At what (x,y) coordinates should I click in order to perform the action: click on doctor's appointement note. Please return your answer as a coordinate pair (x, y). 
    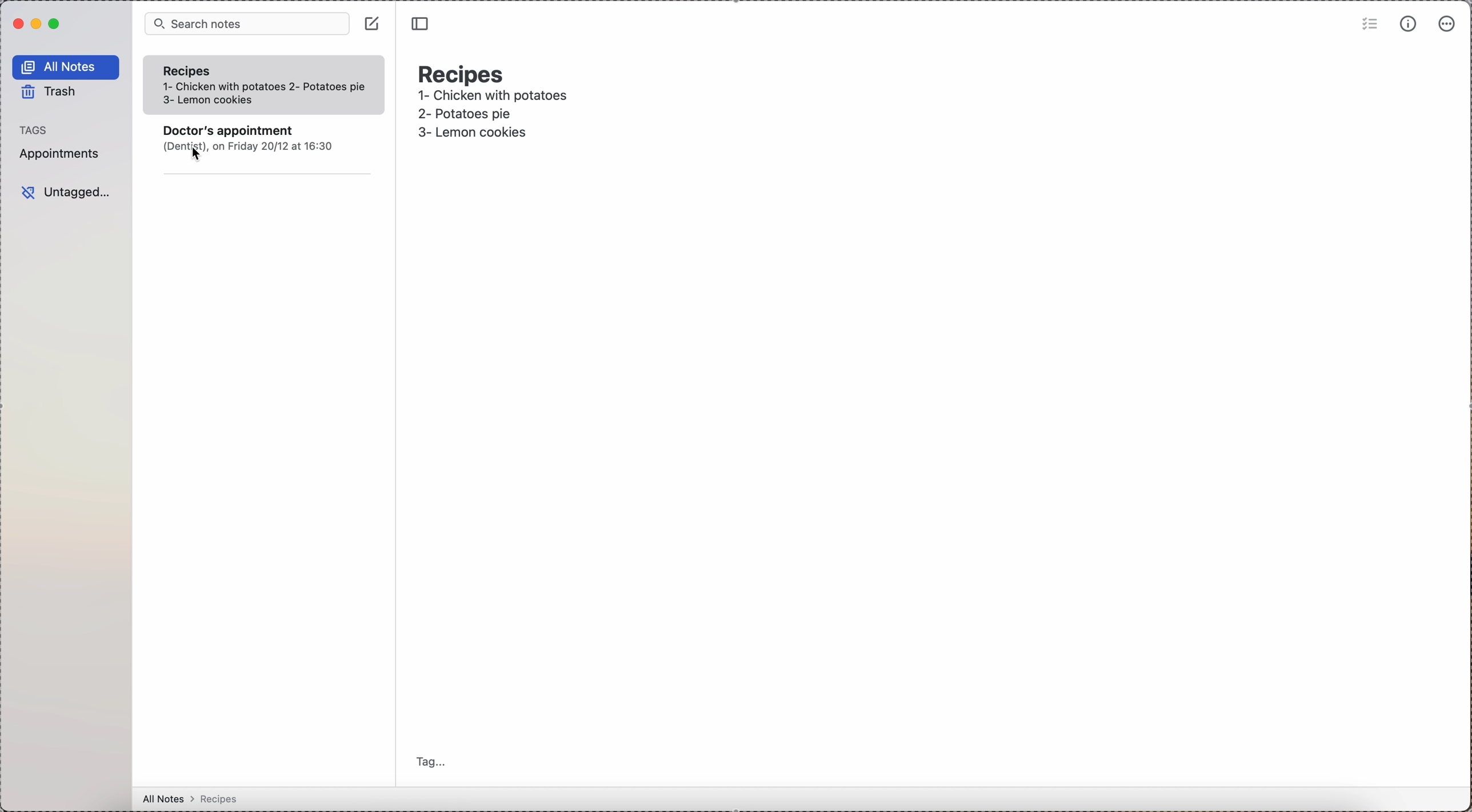
    Looking at the image, I should click on (232, 129).